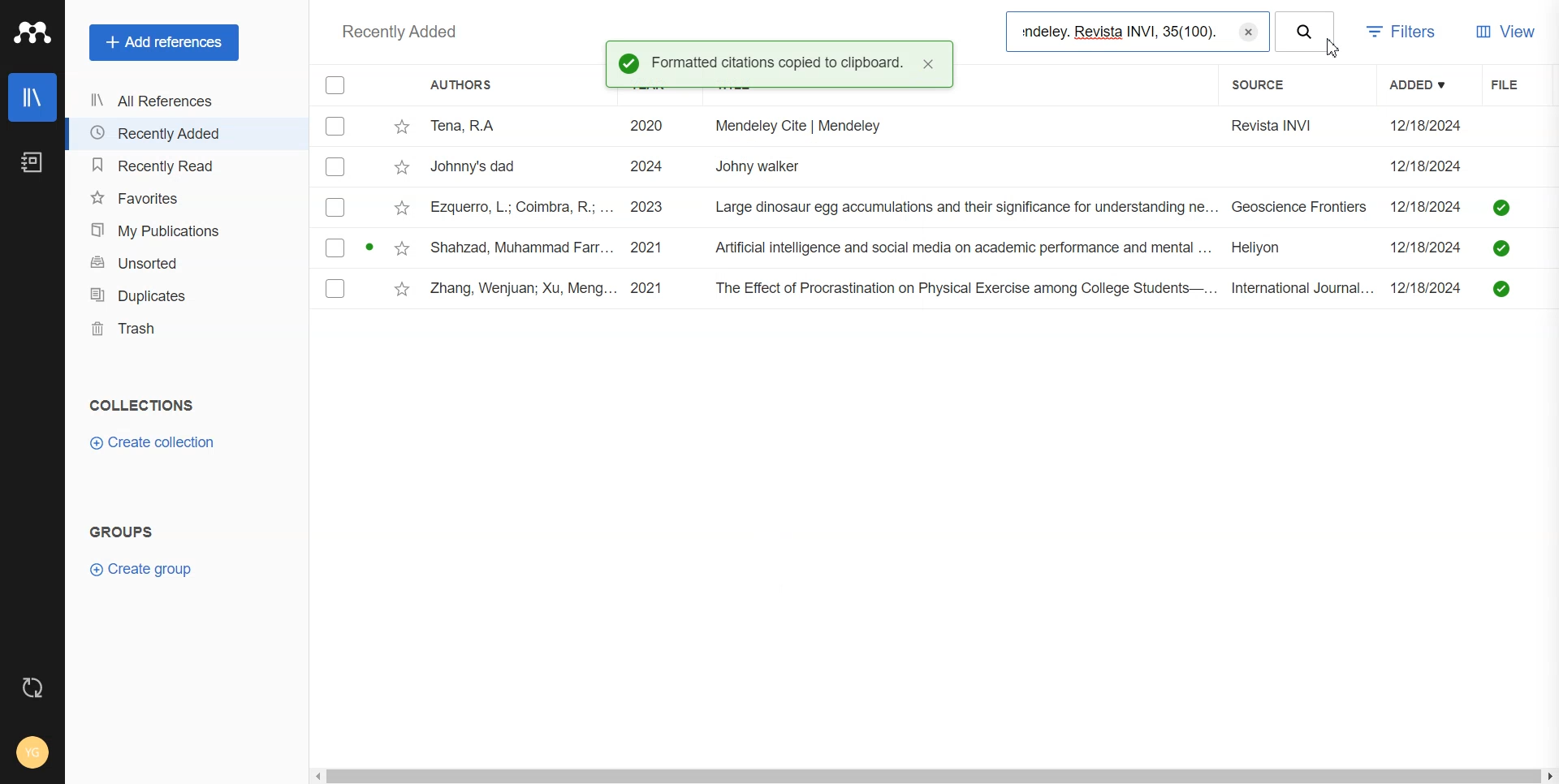 This screenshot has height=784, width=1559. I want to click on Logo, so click(32, 33).